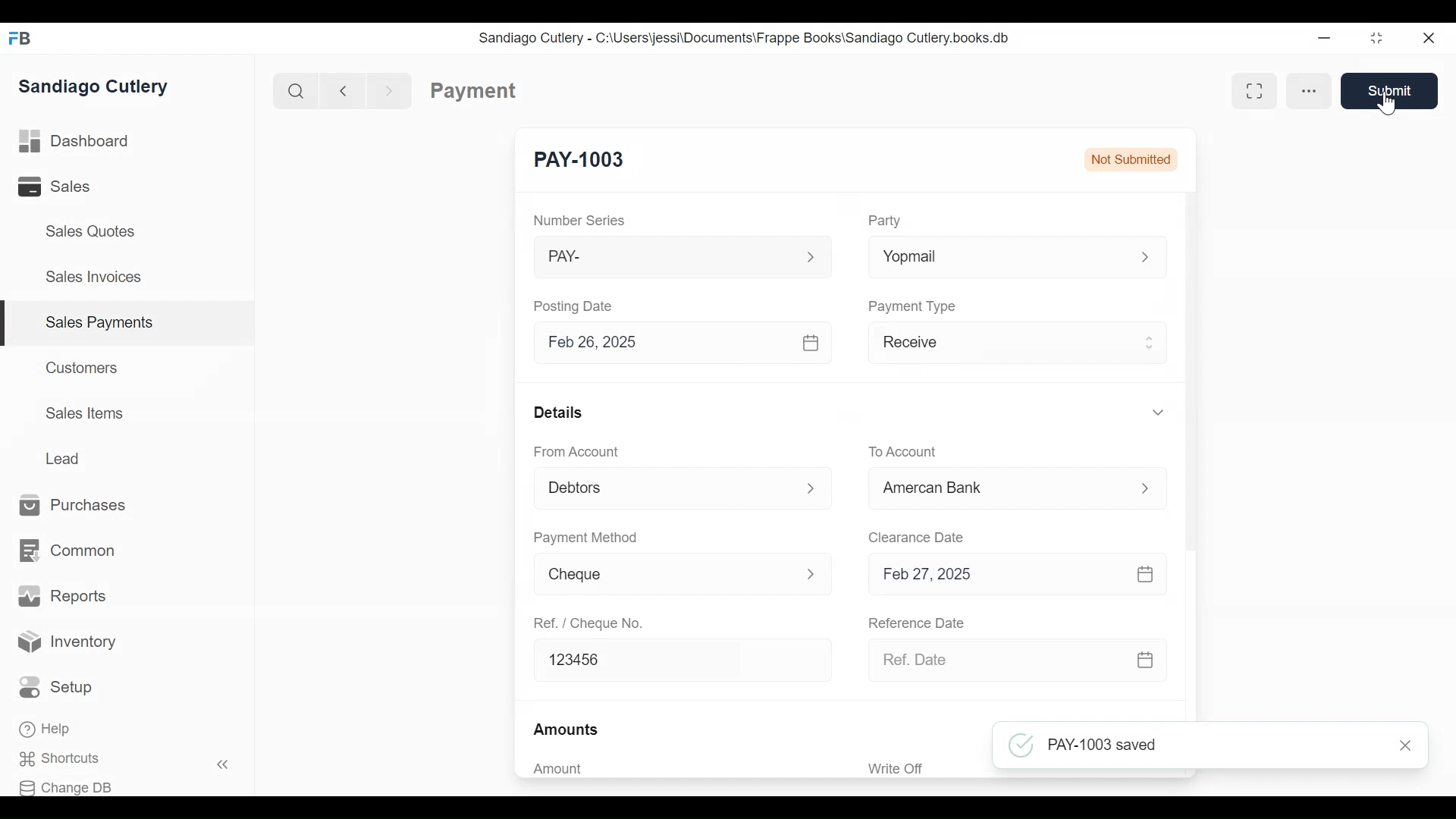  What do you see at coordinates (578, 450) in the screenshot?
I see `From Account` at bounding box center [578, 450].